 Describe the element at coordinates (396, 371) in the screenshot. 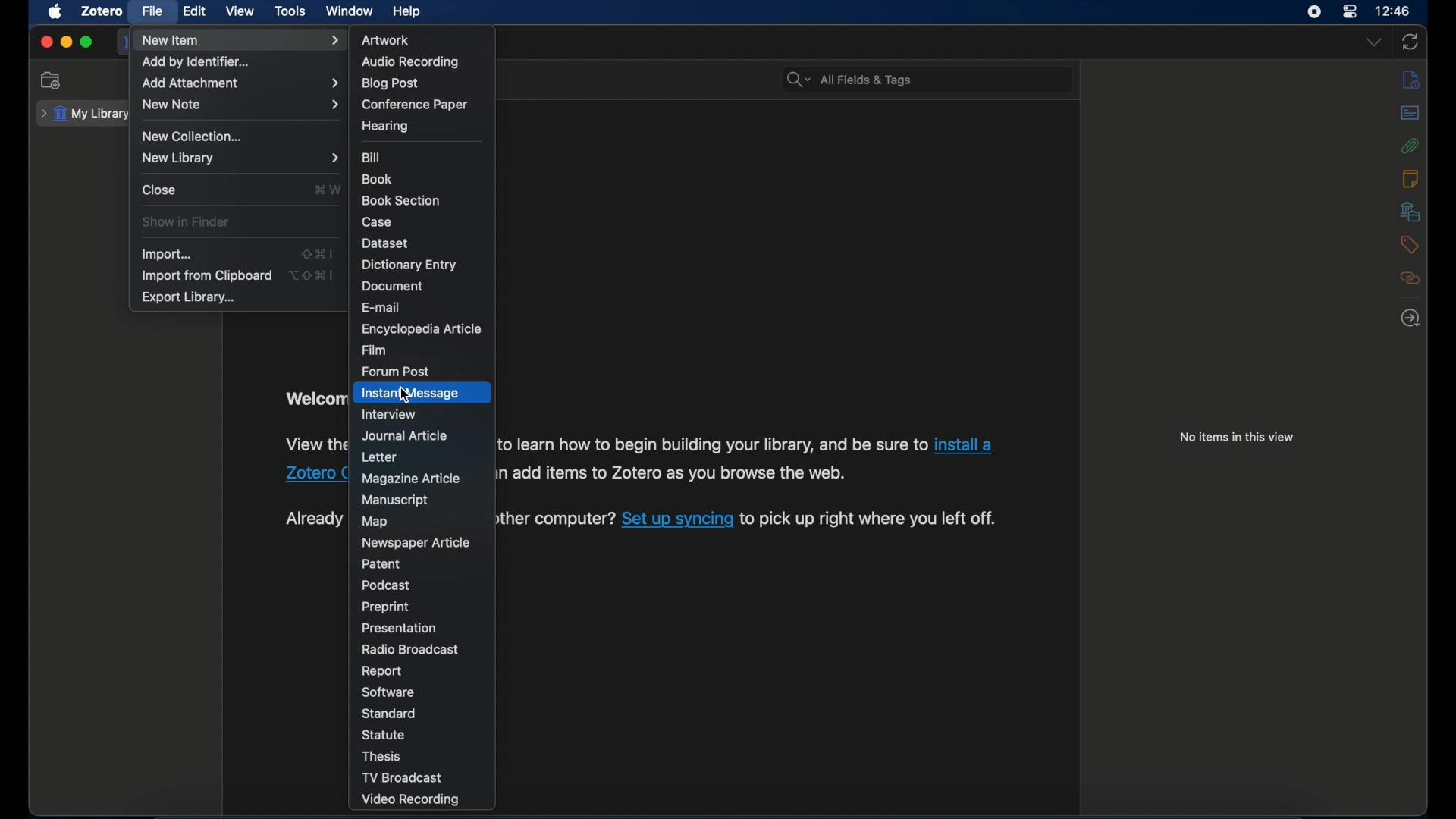

I see `forum post` at that location.